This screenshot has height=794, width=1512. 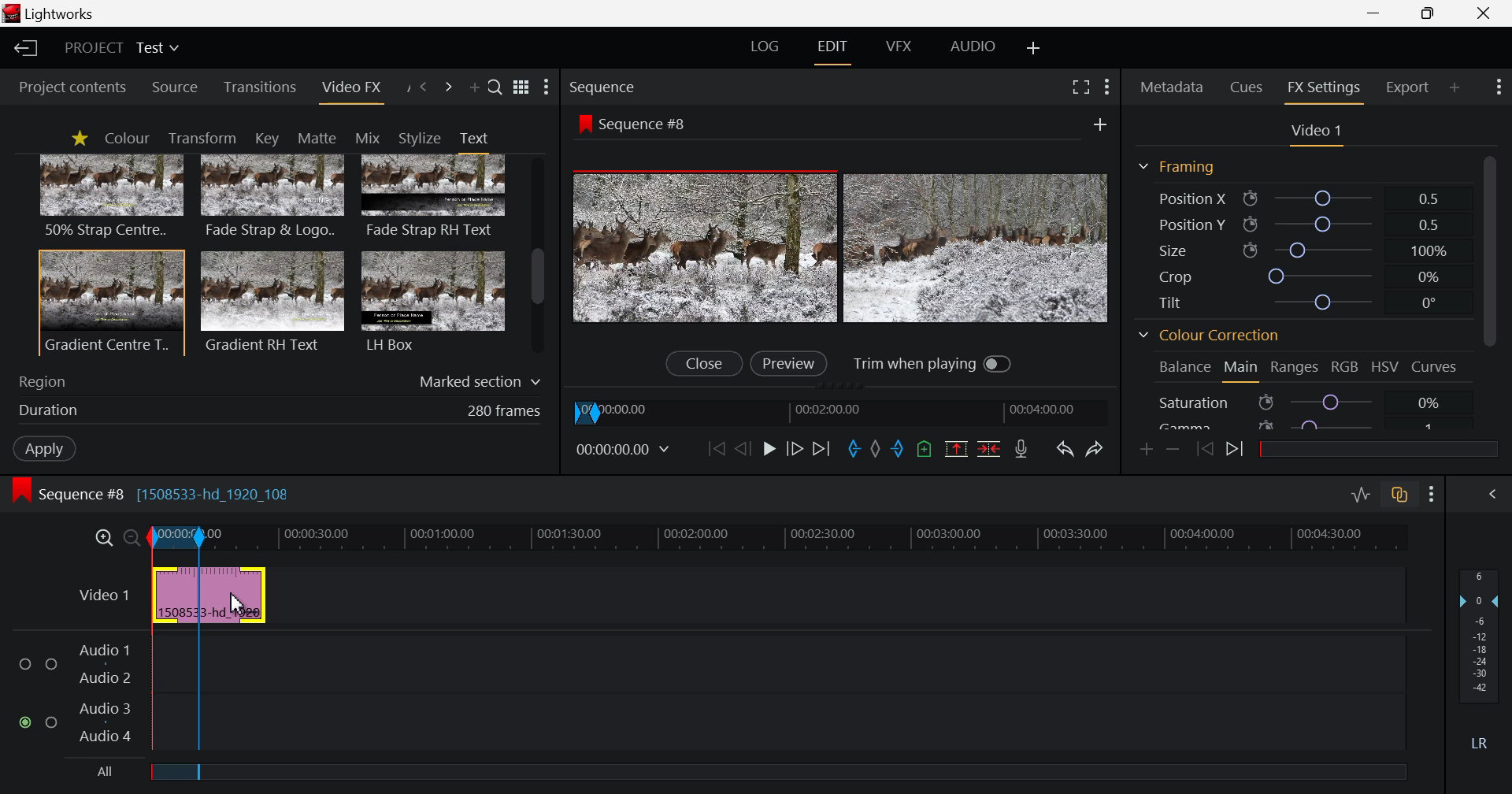 What do you see at coordinates (714, 451) in the screenshot?
I see `To start` at bounding box center [714, 451].